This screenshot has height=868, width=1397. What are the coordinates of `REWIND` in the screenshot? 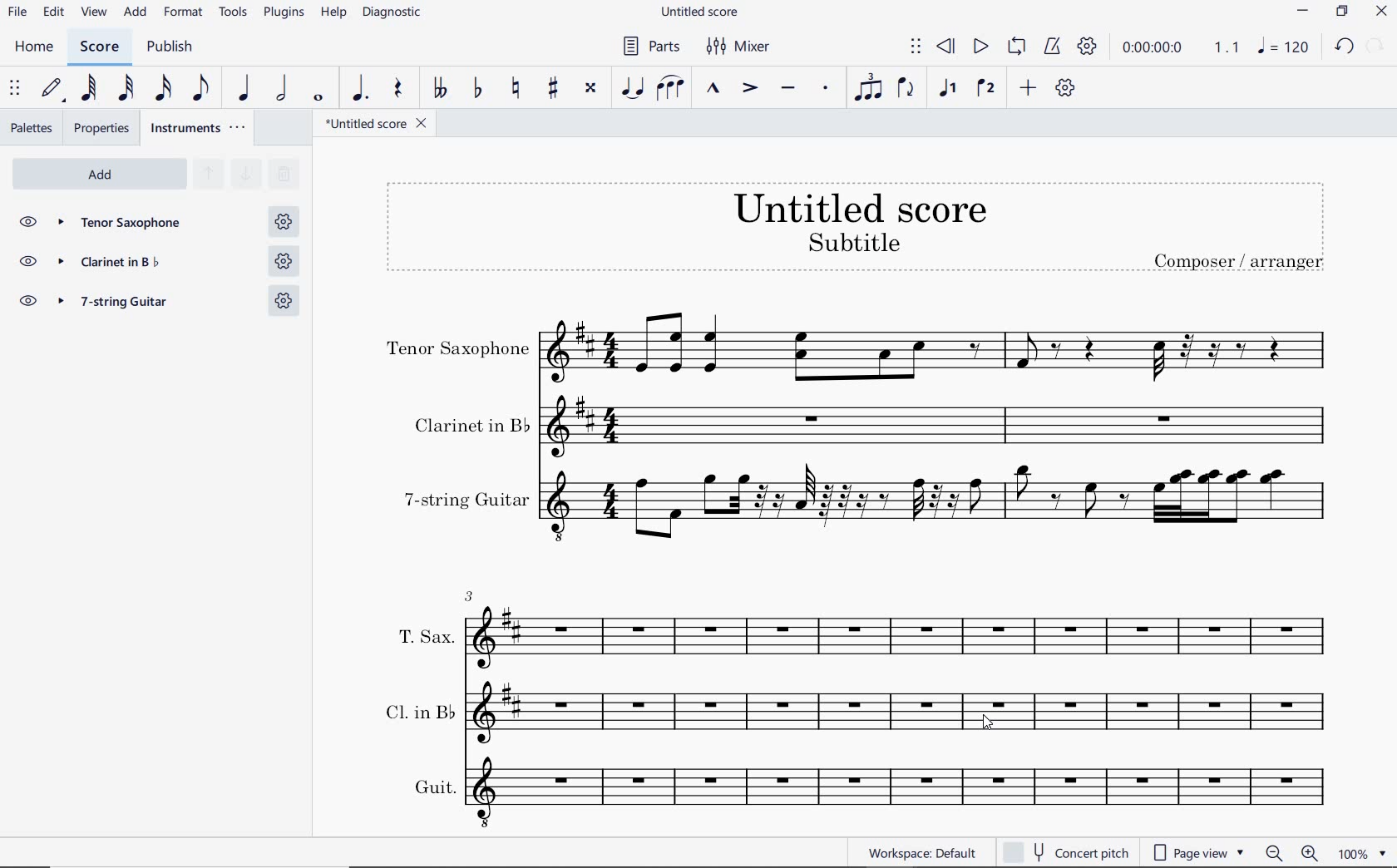 It's located at (946, 48).